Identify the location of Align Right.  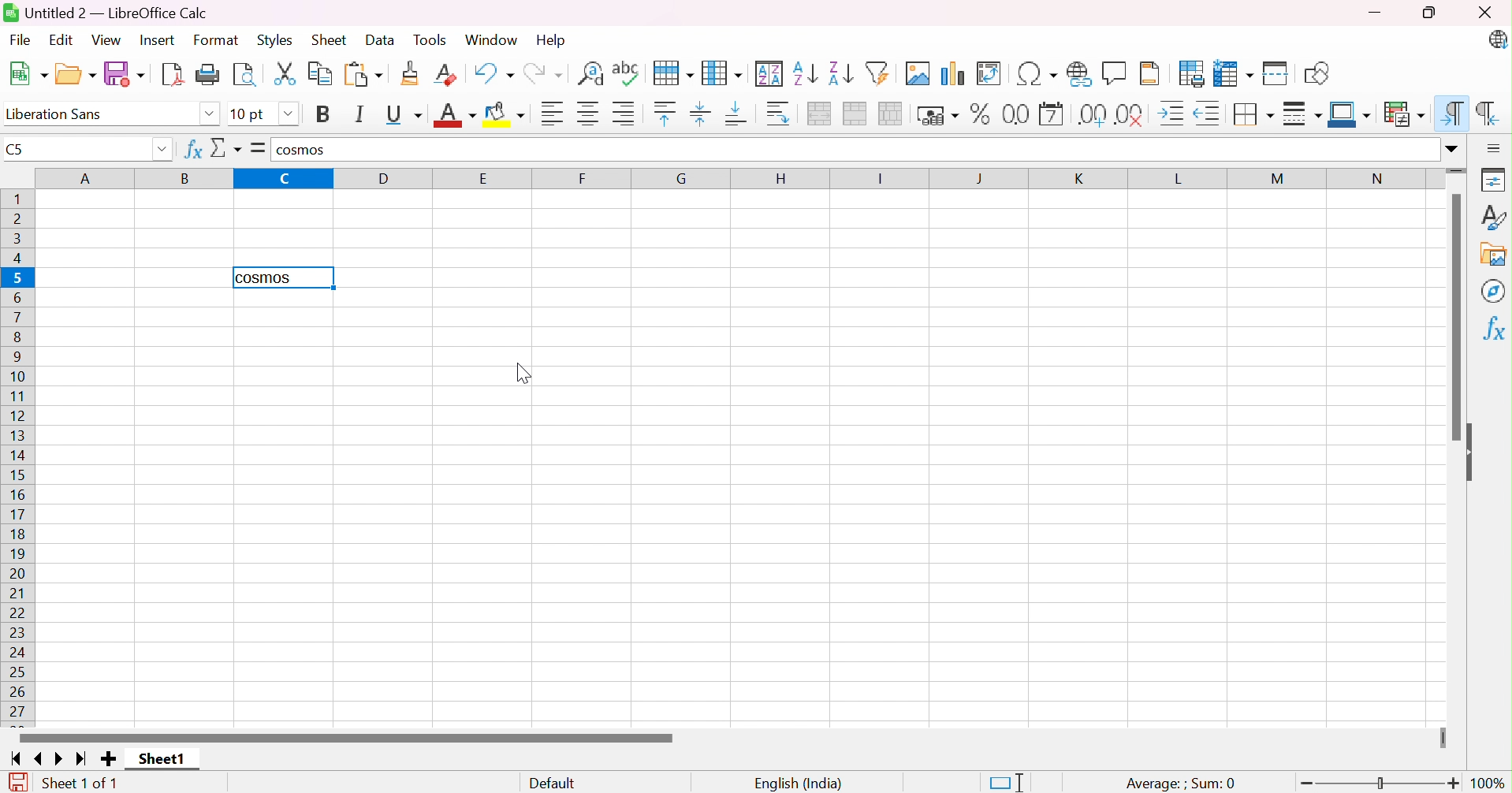
(625, 113).